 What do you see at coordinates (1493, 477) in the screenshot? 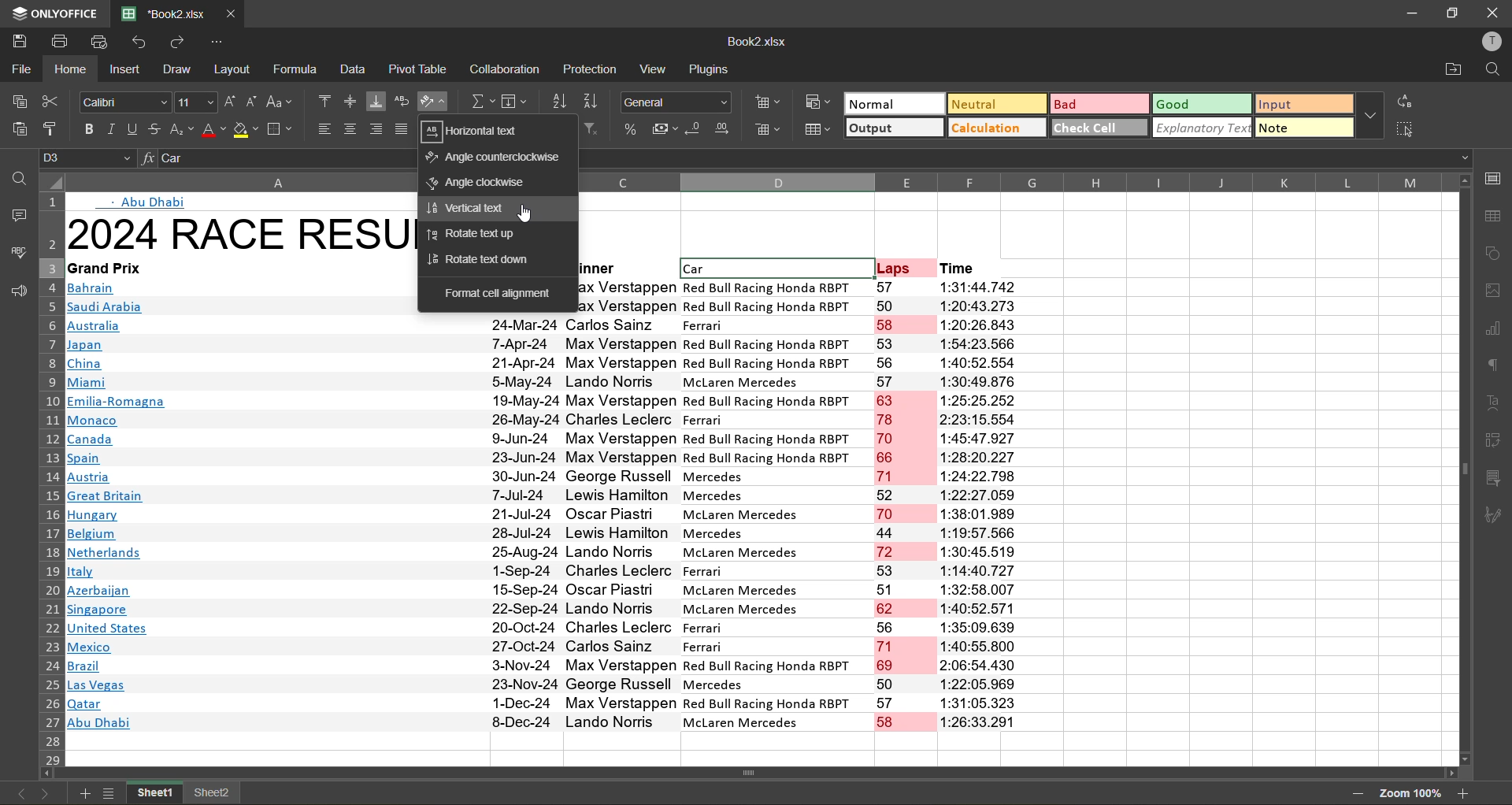
I see `slicer` at bounding box center [1493, 477].